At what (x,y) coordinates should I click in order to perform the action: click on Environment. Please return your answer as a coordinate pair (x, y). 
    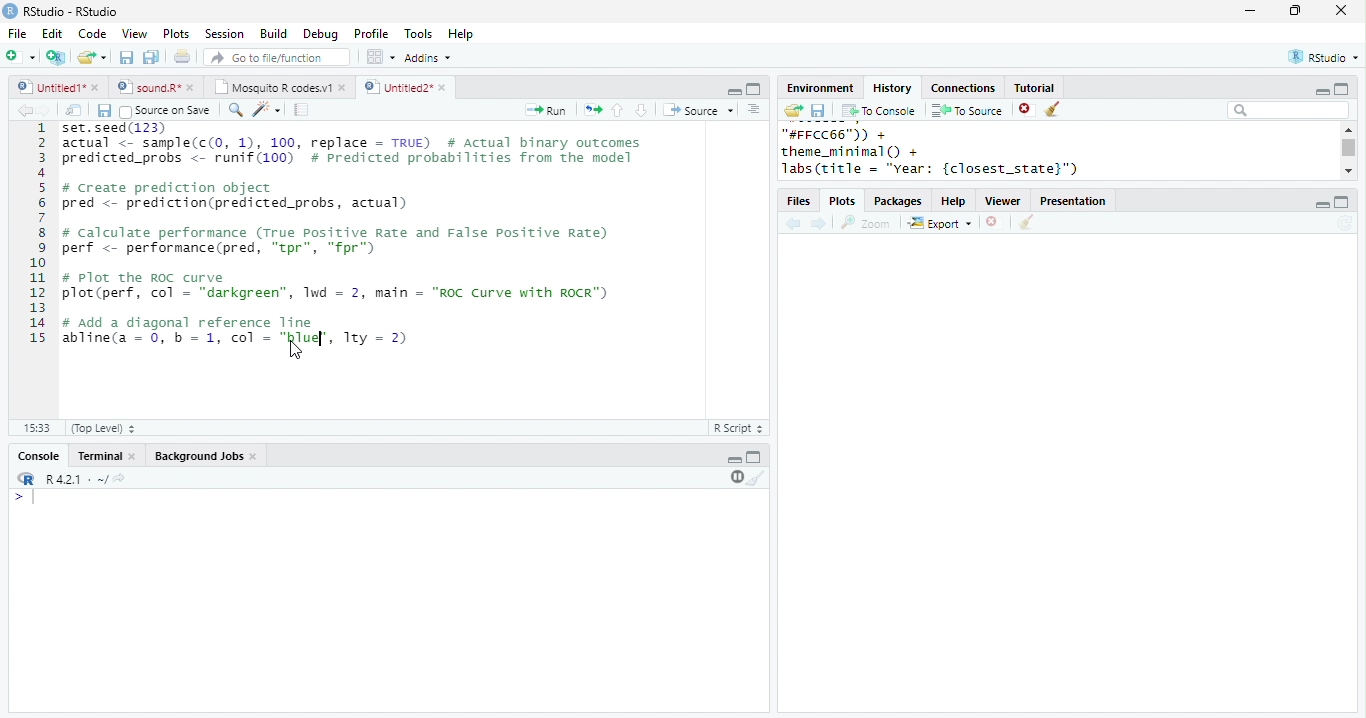
    Looking at the image, I should click on (819, 88).